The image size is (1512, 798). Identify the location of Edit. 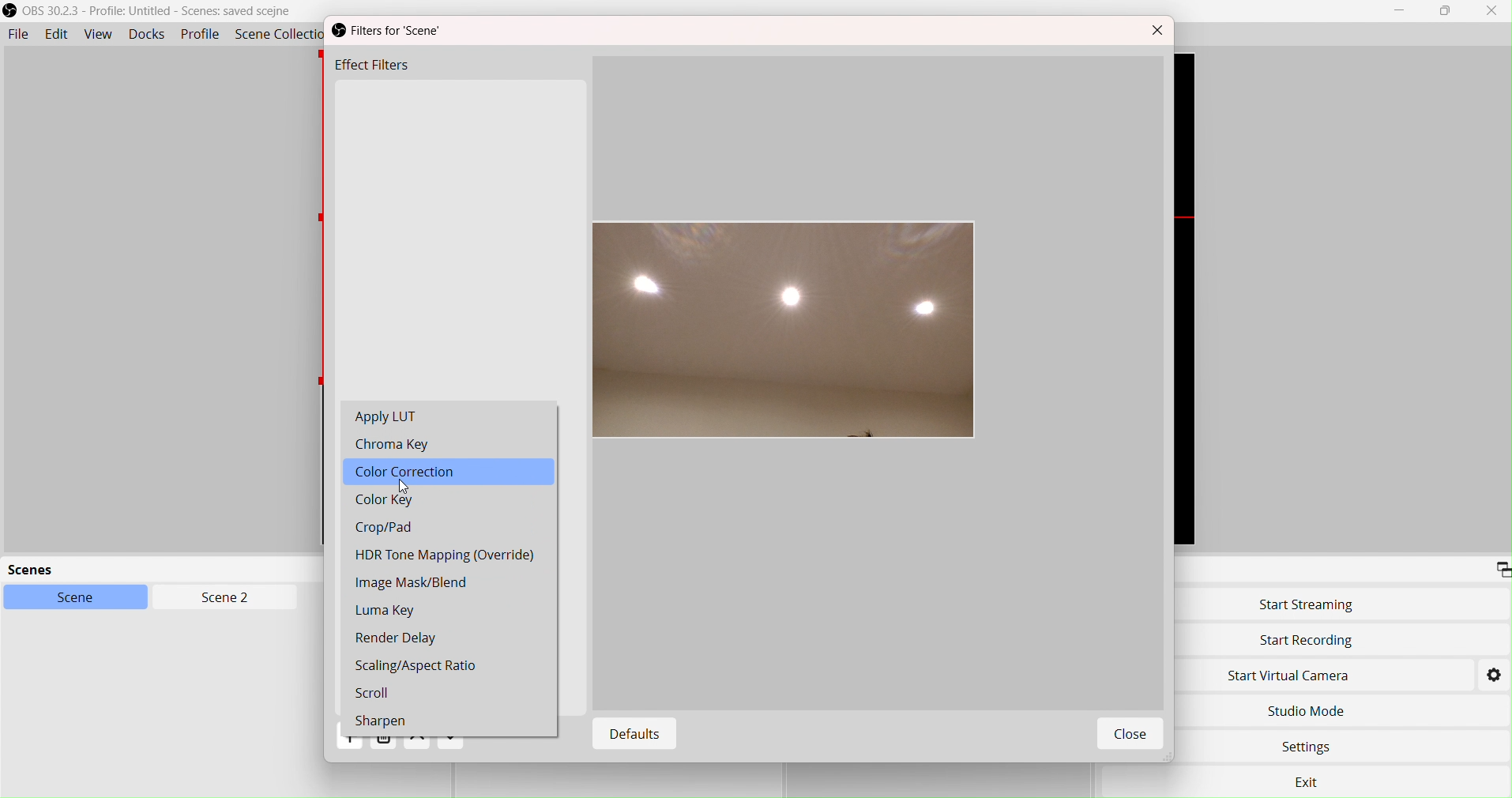
(56, 35).